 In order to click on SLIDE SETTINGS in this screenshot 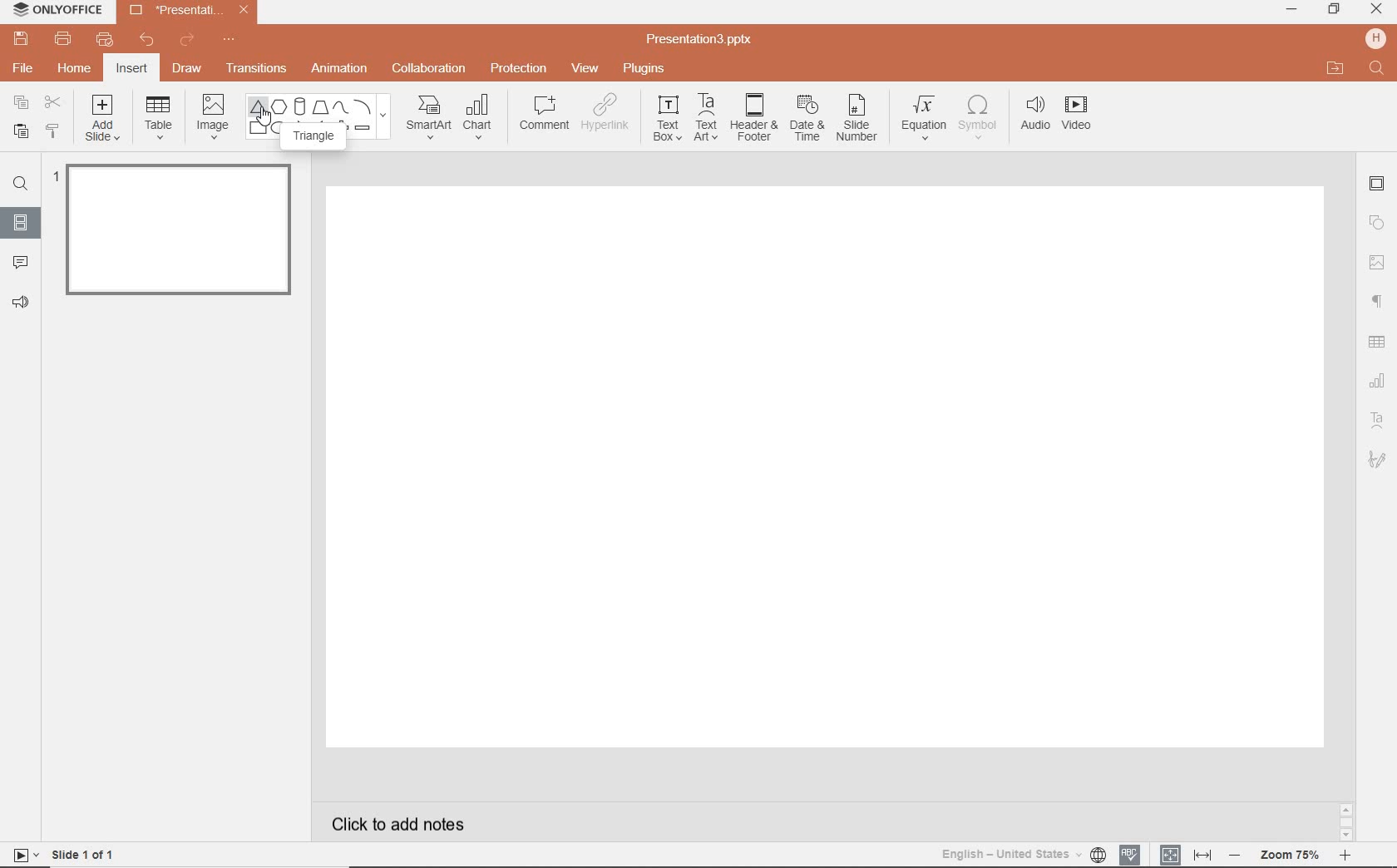, I will do `click(1377, 185)`.